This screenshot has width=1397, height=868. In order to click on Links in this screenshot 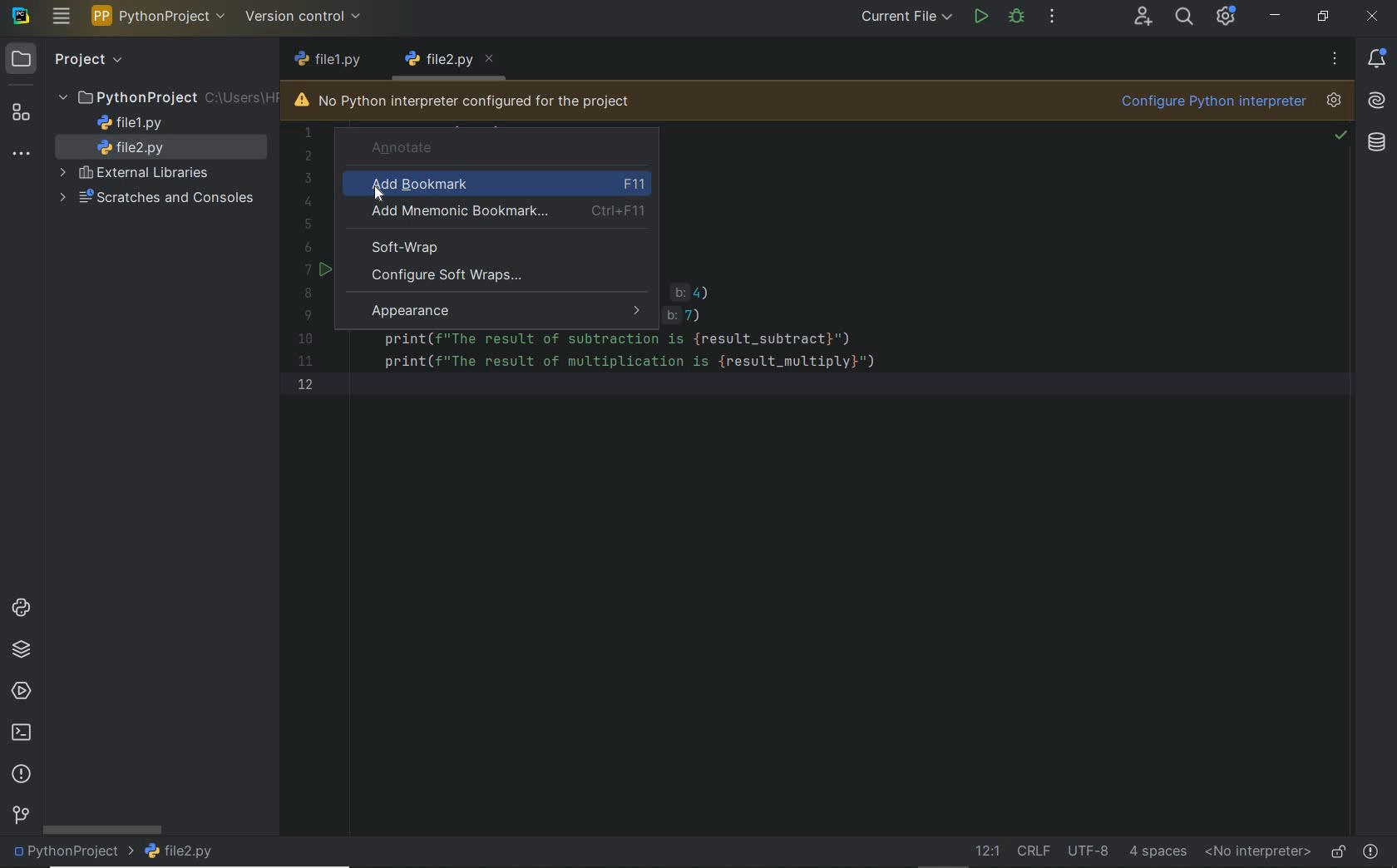, I will do `click(697, 303)`.